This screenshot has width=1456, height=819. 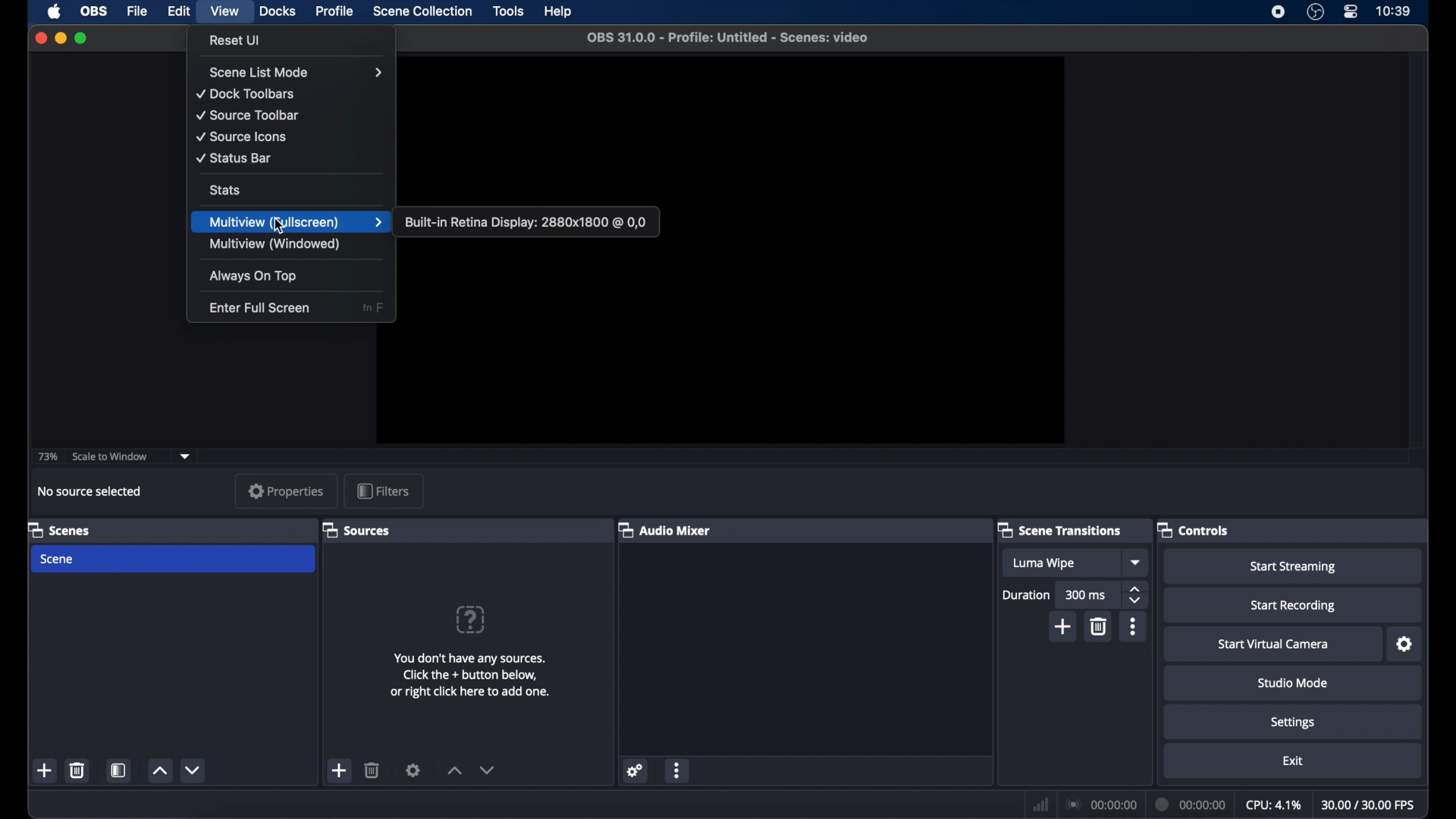 I want to click on scene filters, so click(x=118, y=770).